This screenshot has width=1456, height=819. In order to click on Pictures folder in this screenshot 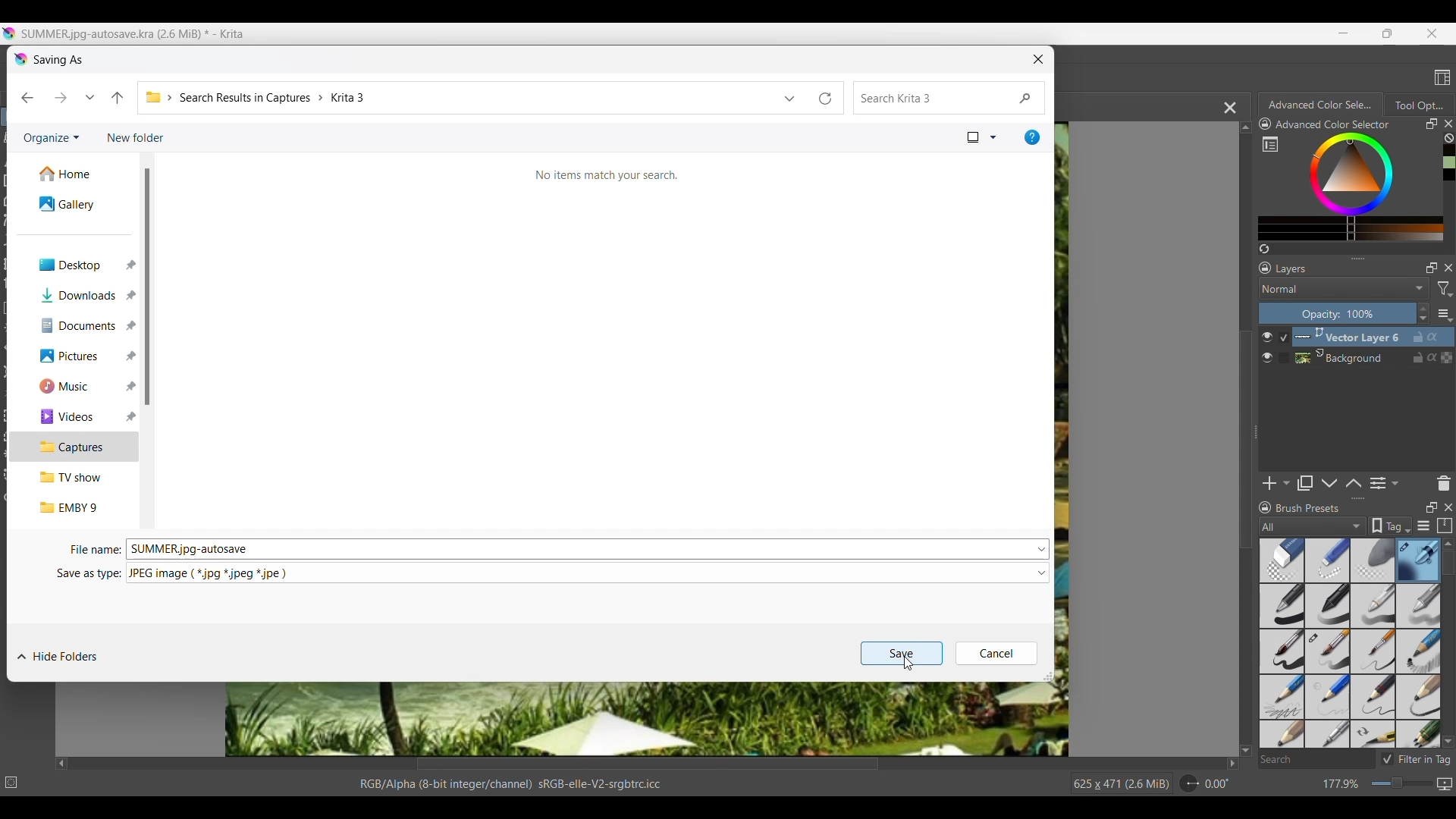, I will do `click(74, 356)`.